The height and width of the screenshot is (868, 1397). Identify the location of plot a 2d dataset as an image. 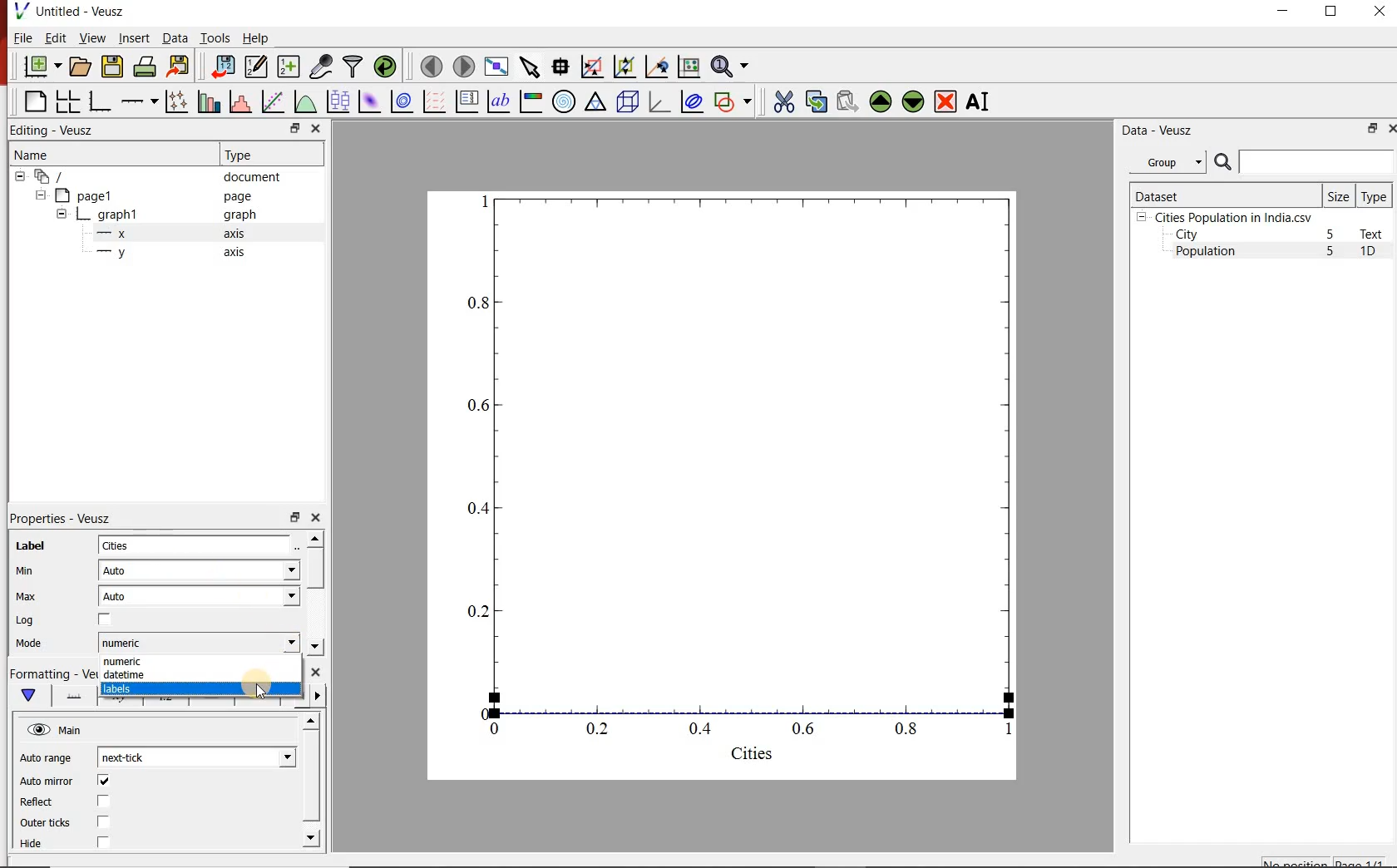
(368, 100).